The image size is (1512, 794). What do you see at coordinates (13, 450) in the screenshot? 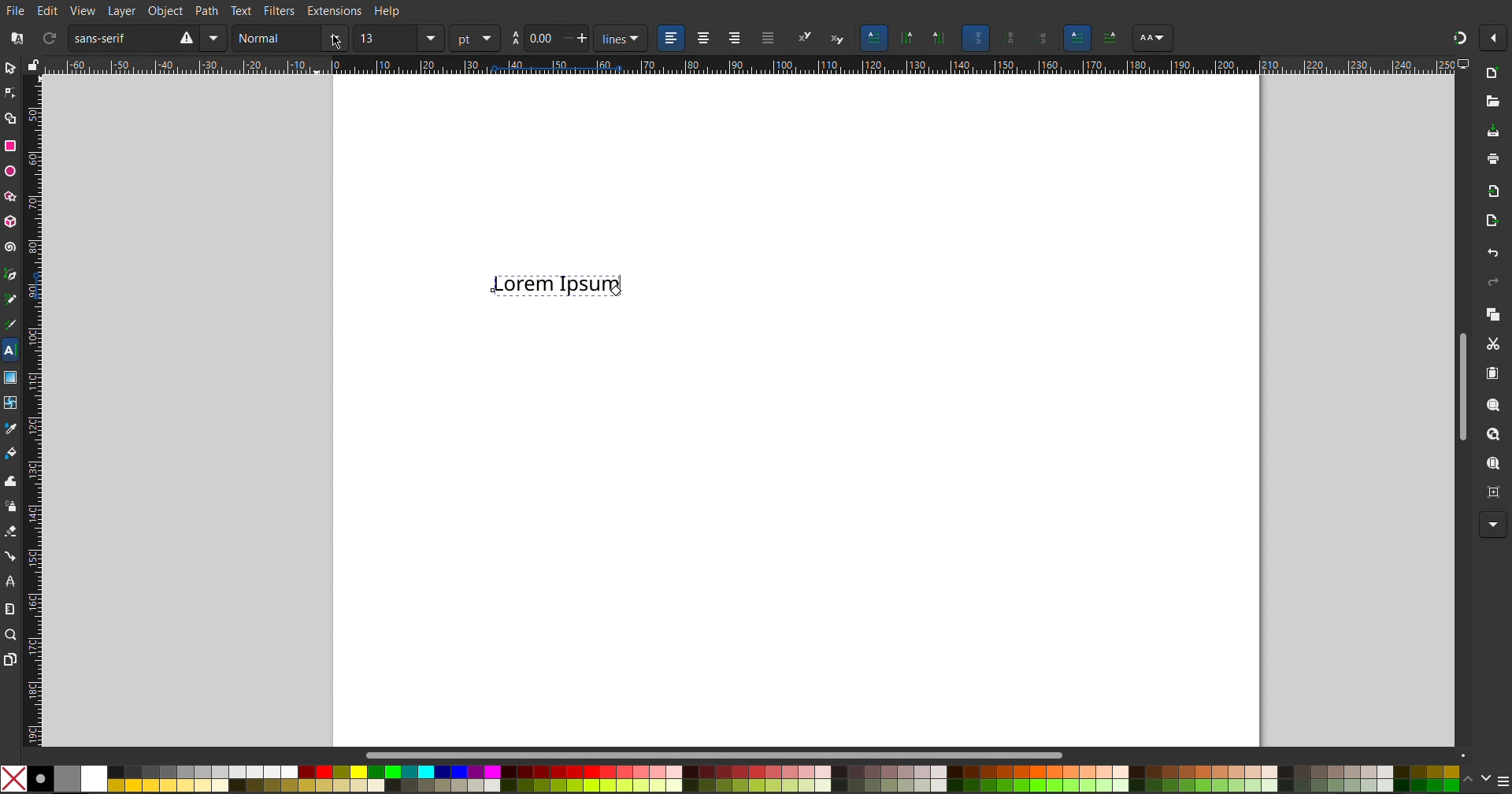
I see `Paint Bucket Tool` at bounding box center [13, 450].